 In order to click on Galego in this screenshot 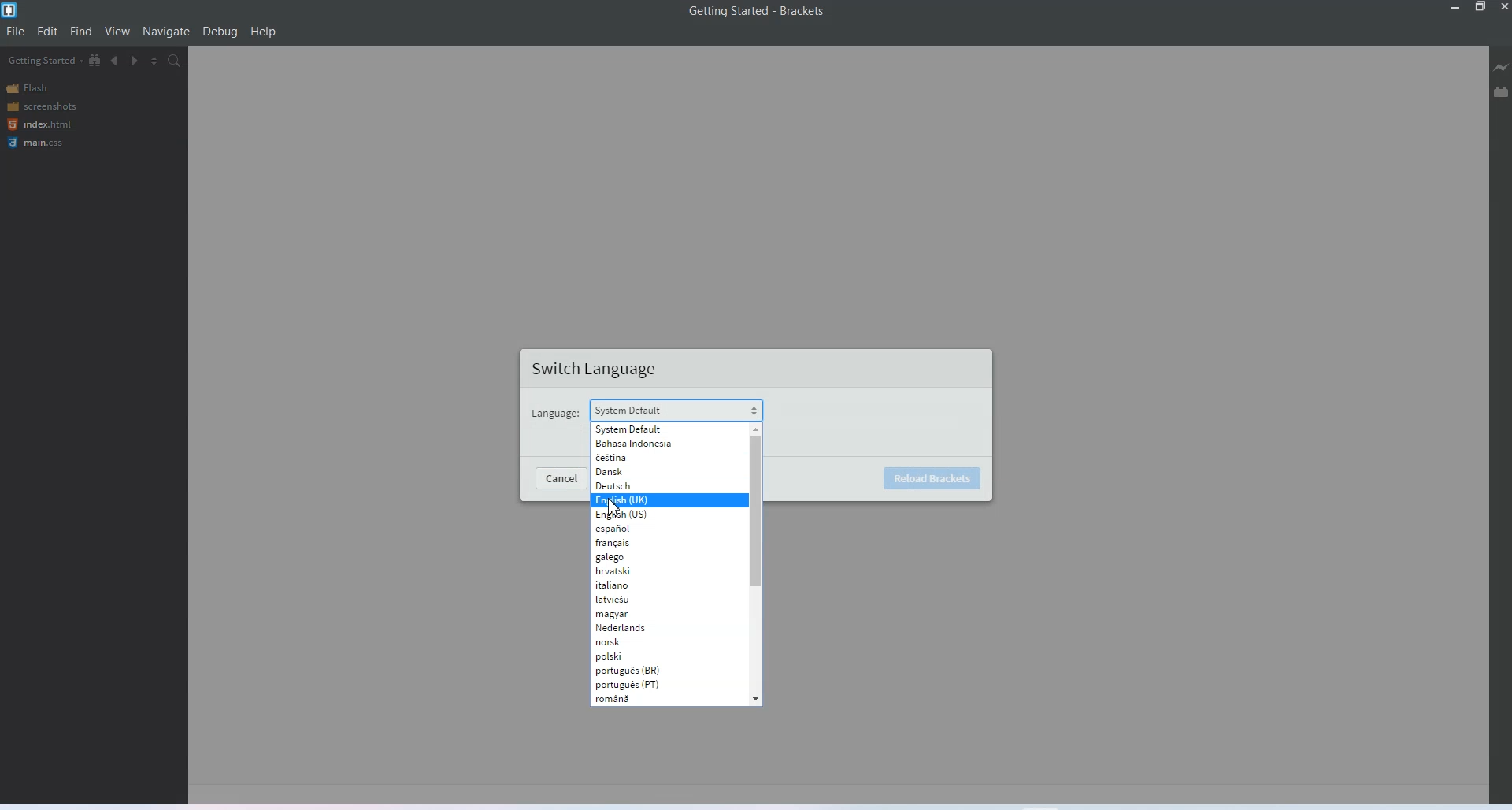, I will do `click(654, 557)`.